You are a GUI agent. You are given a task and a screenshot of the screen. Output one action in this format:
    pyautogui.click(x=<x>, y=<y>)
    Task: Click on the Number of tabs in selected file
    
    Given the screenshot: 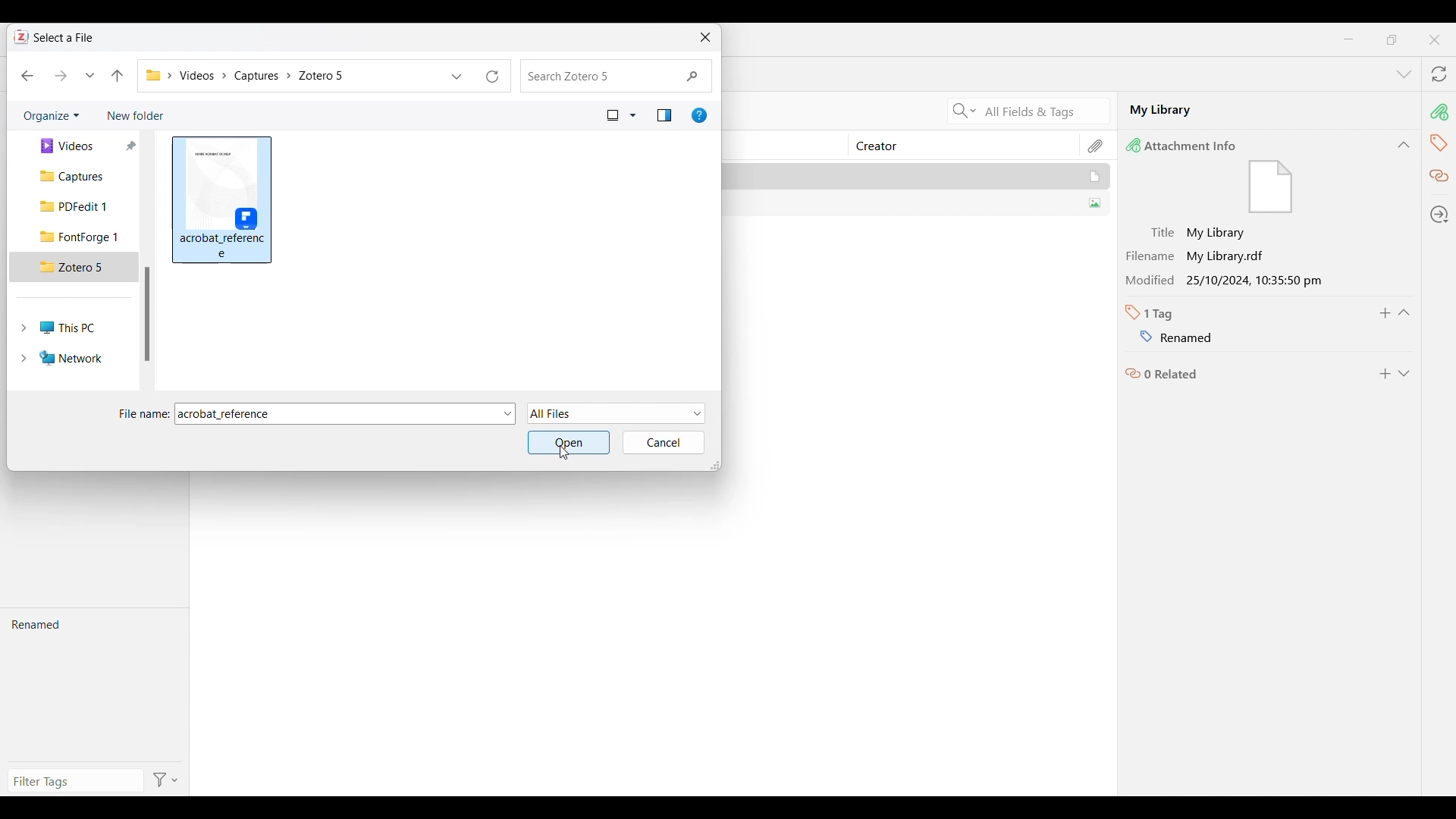 What is the action you would take?
    pyautogui.click(x=1154, y=313)
    